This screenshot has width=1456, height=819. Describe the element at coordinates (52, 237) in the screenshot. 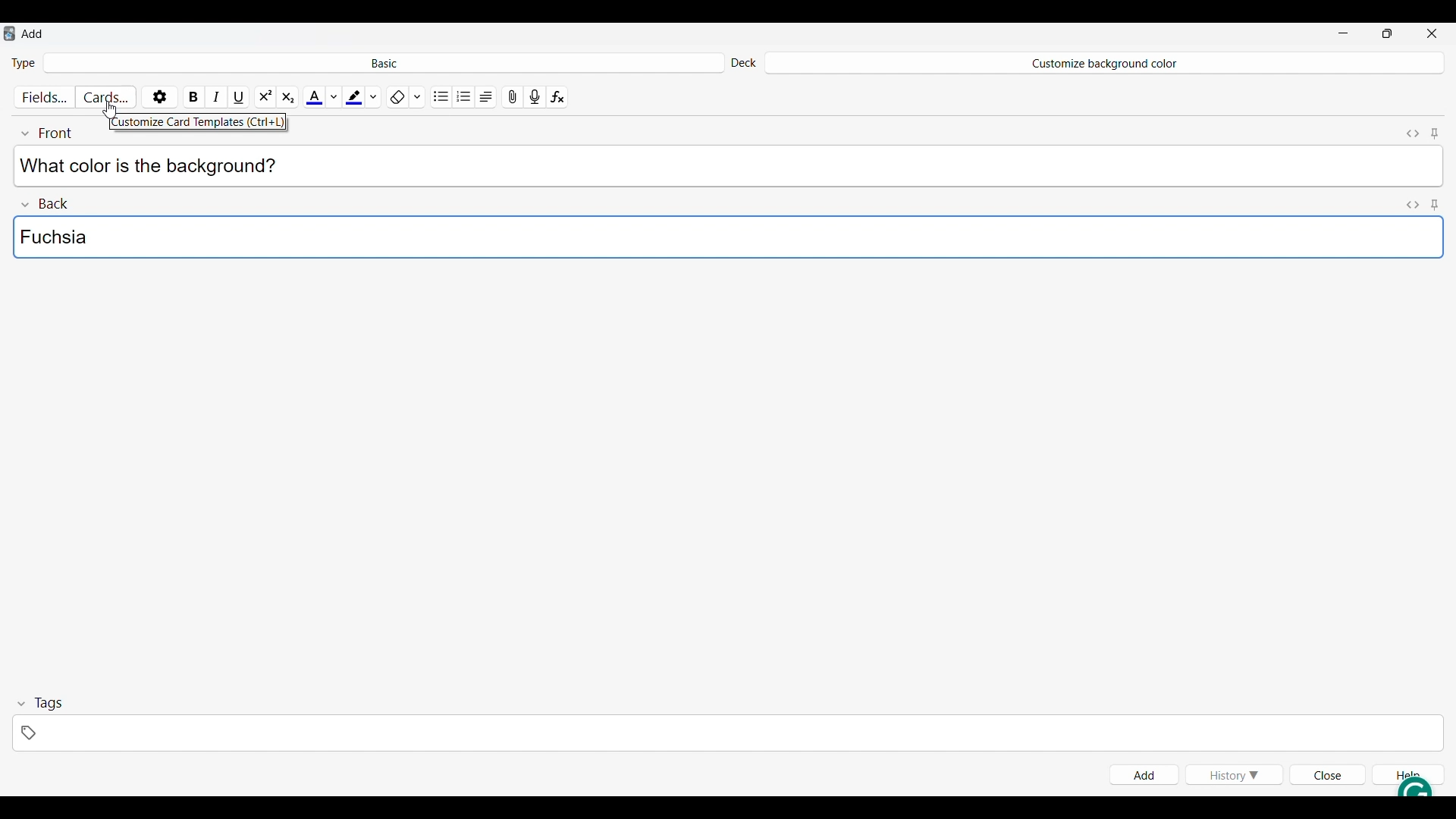

I see `Text color typed in` at that location.